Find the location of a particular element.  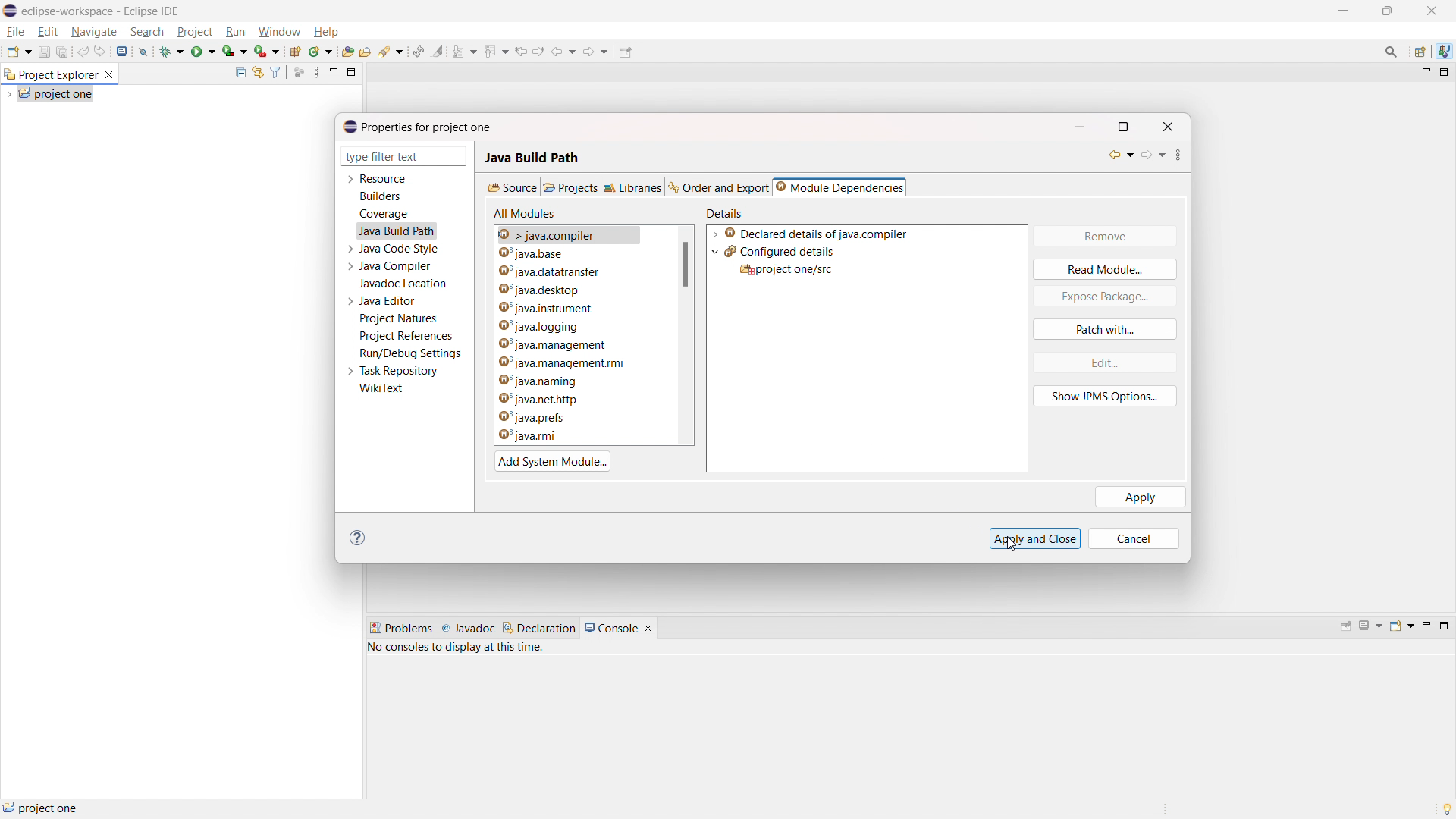

no consoles to display at this time.  is located at coordinates (459, 650).